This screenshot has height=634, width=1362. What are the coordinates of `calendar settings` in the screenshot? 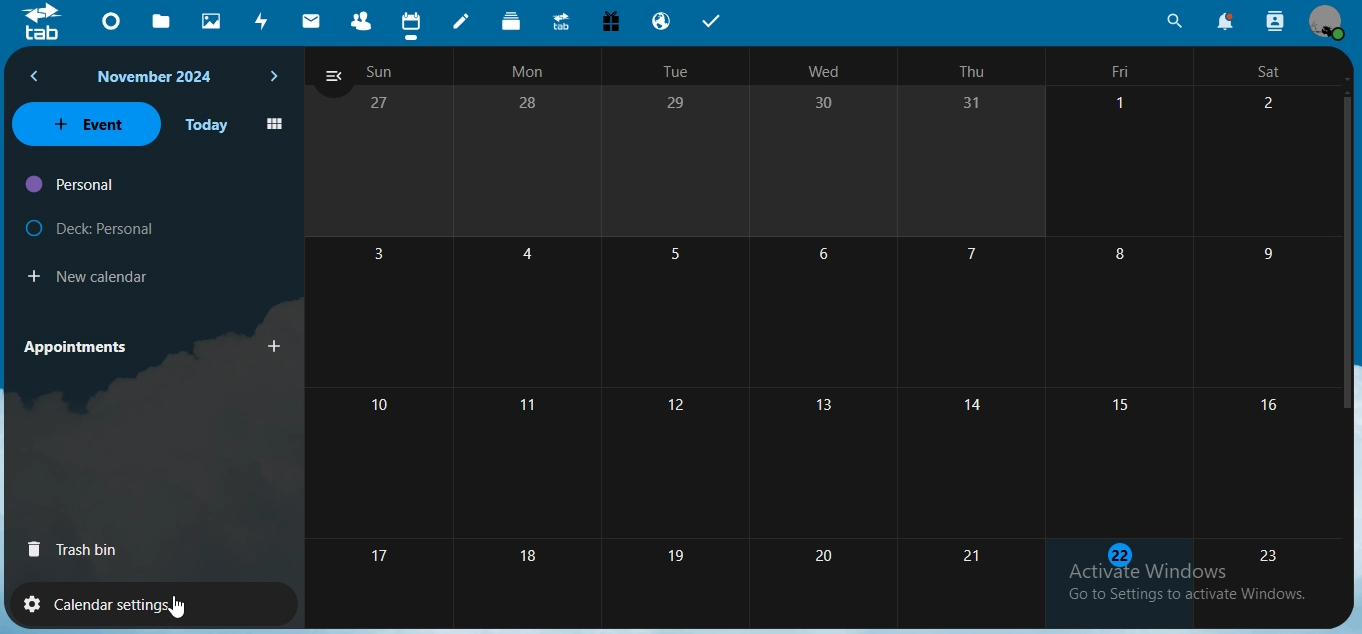 It's located at (123, 601).